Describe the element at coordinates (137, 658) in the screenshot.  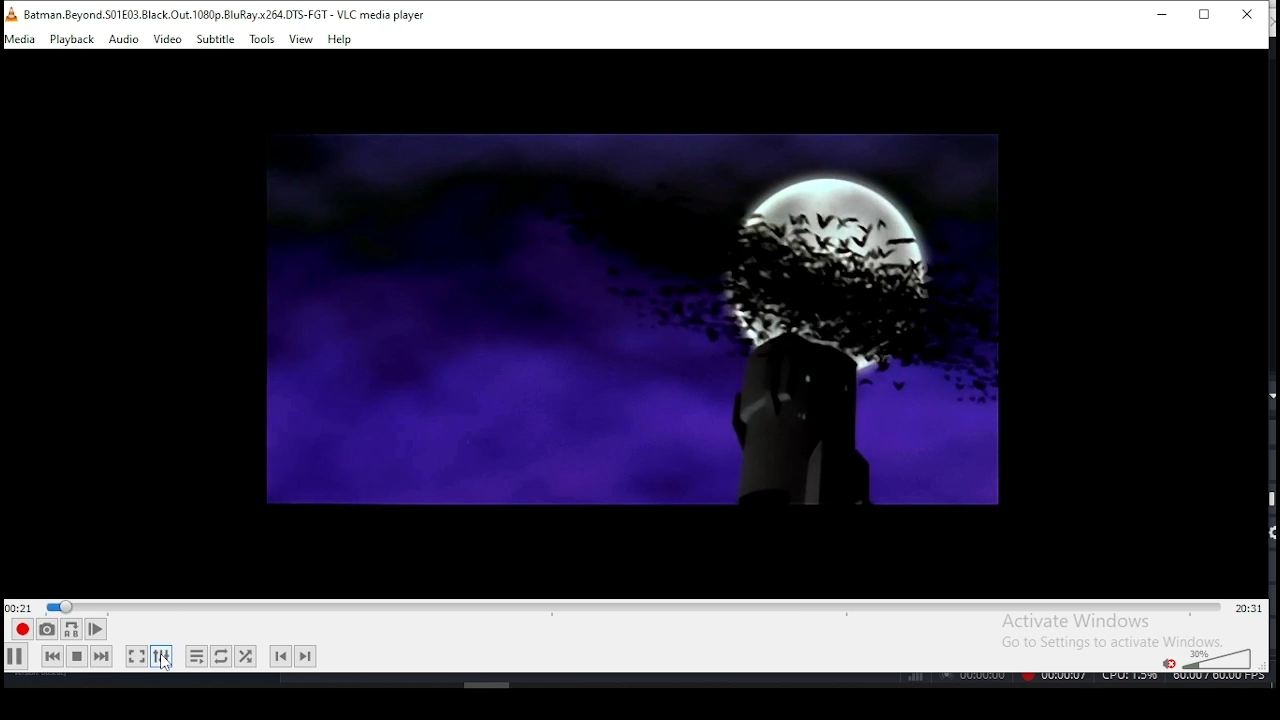
I see `toggle fullscreen` at that location.